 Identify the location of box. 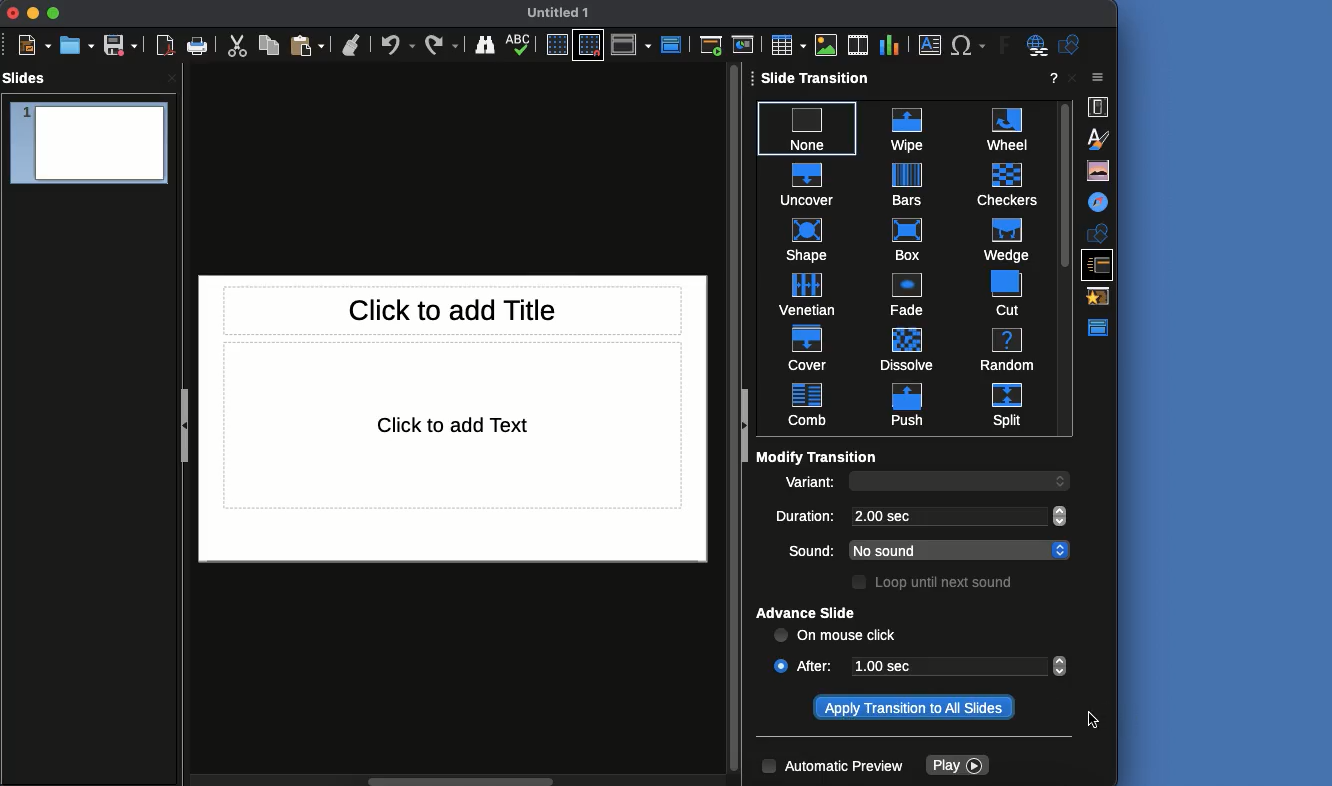
(908, 238).